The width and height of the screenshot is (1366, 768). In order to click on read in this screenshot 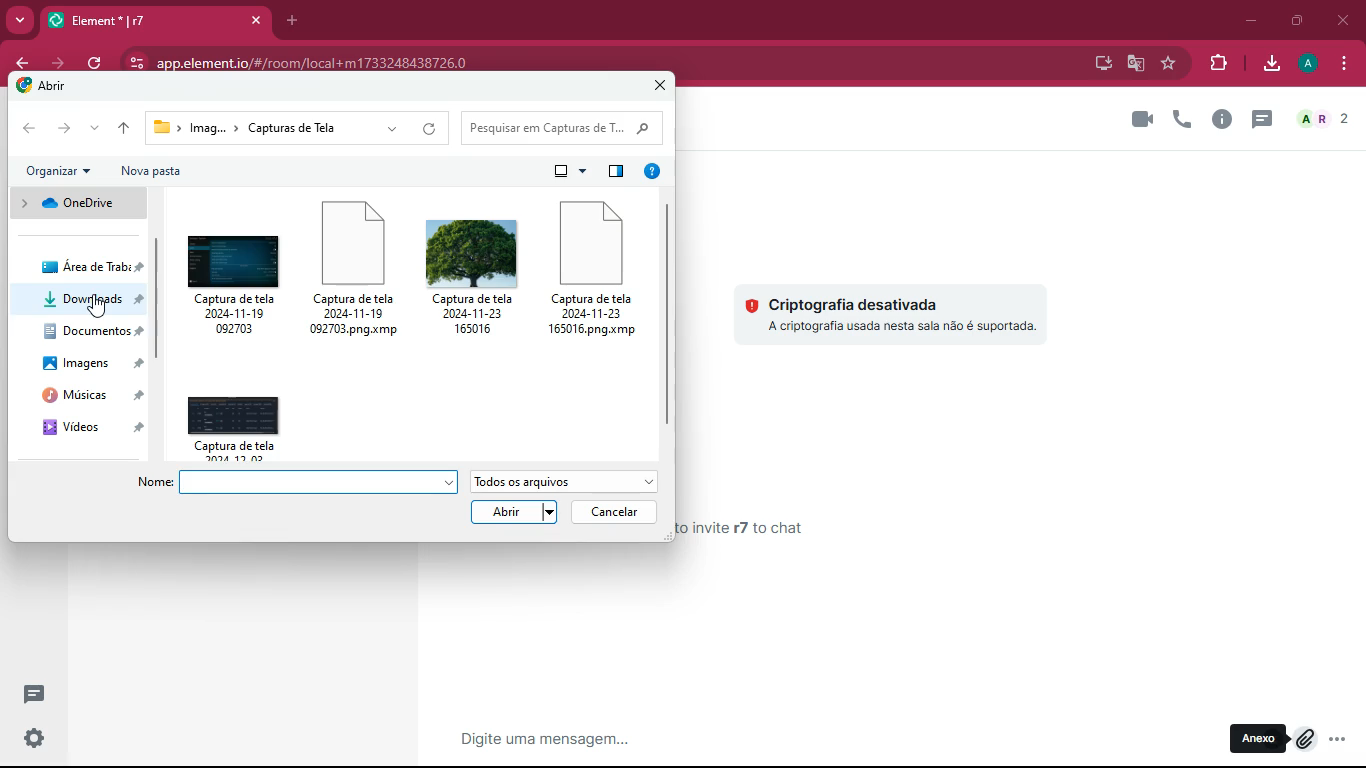, I will do `click(618, 169)`.